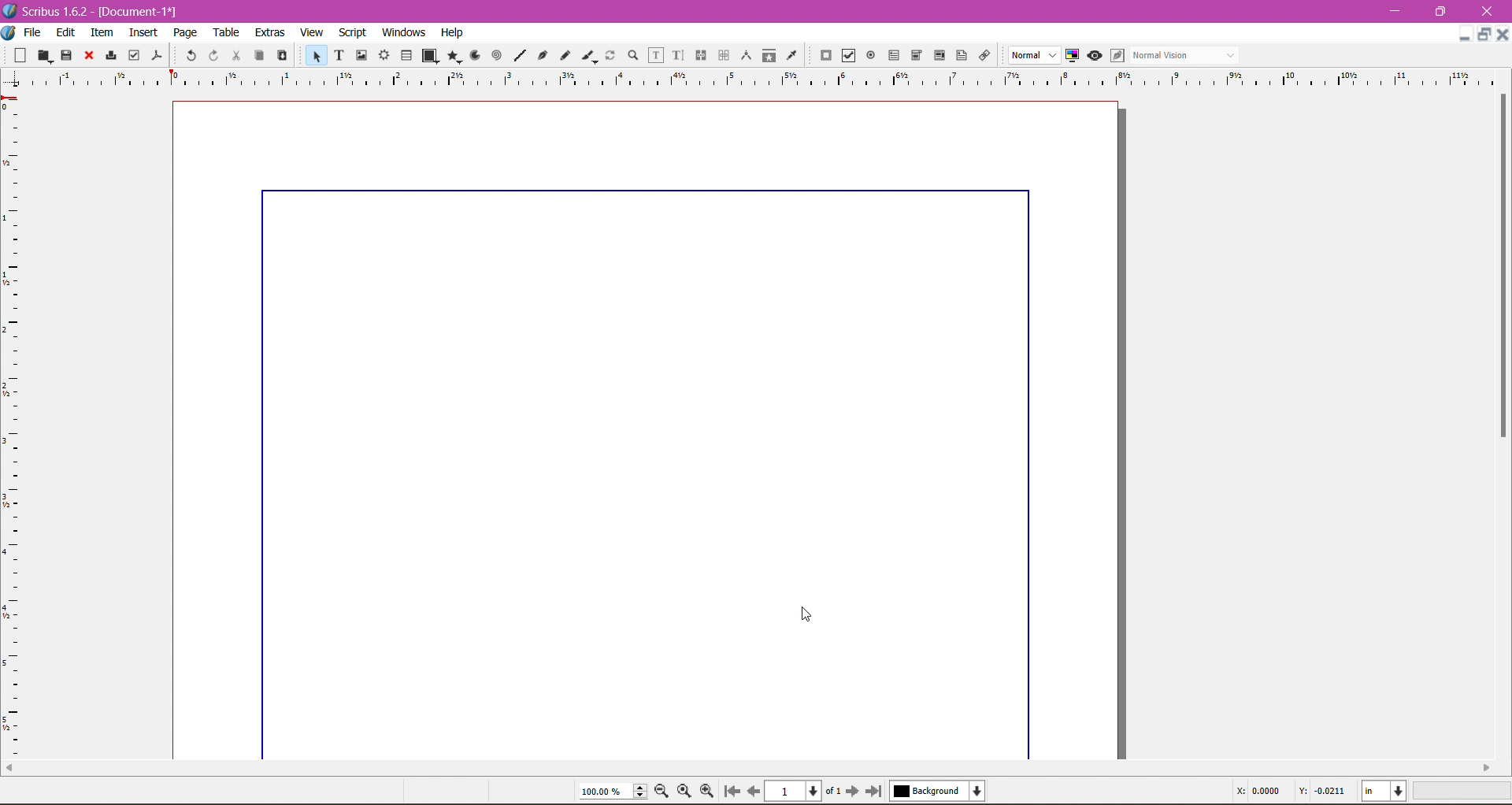 The height and width of the screenshot is (805, 1512). I want to click on Image Frame, so click(362, 56).